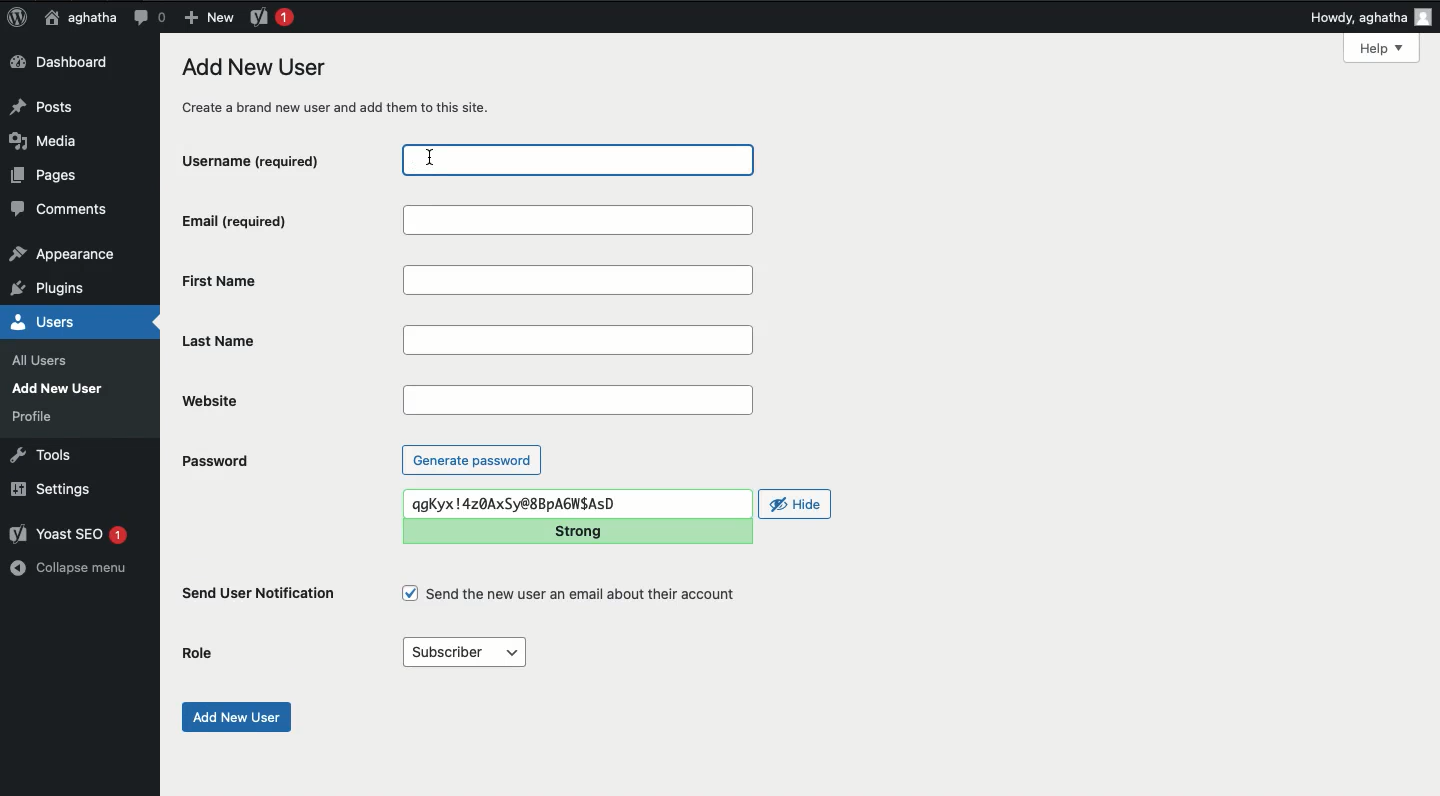 This screenshot has height=796, width=1440. I want to click on Posts, so click(47, 105).